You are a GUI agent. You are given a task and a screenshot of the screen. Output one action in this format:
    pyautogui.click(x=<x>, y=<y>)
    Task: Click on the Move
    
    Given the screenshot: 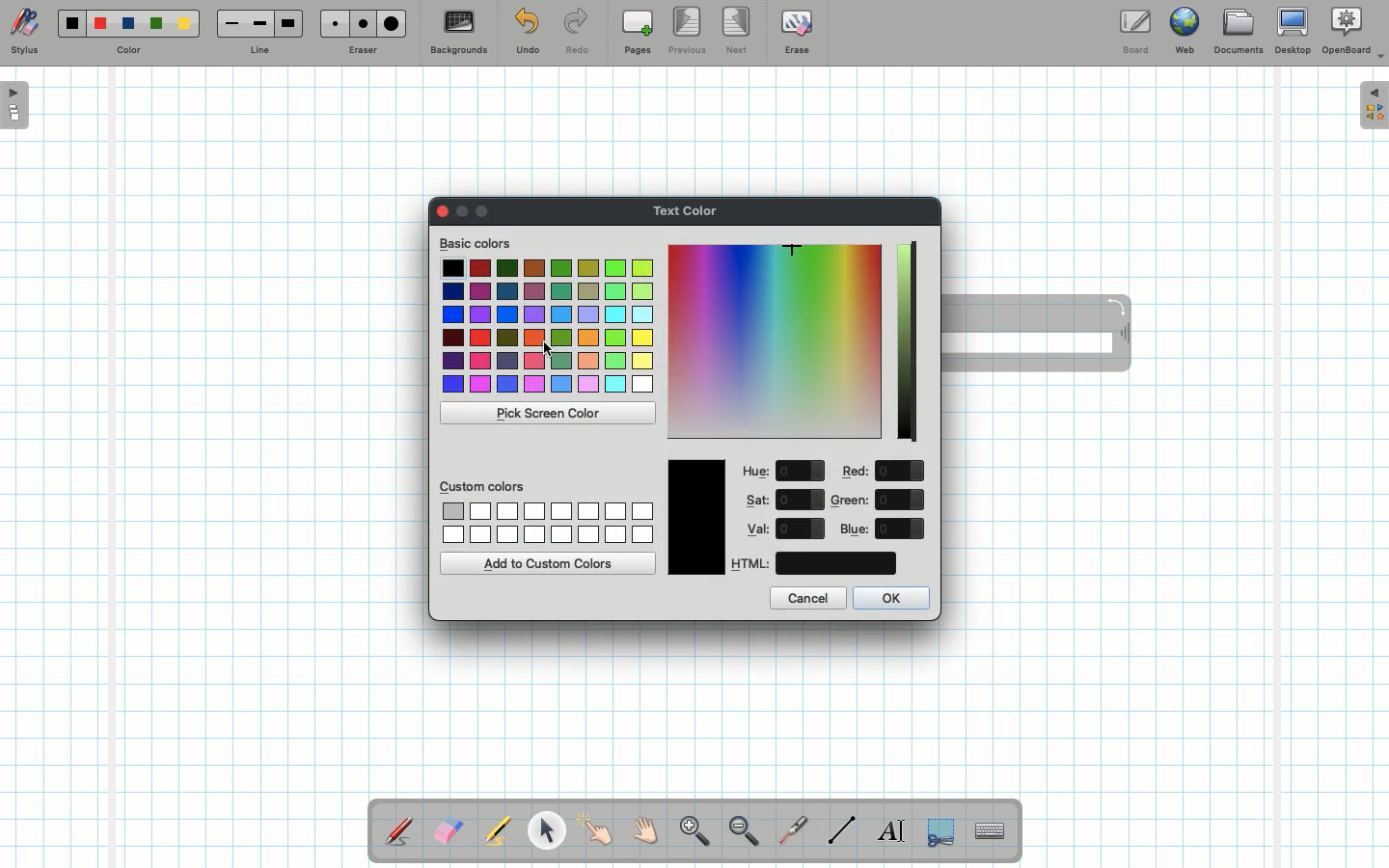 What is the action you would take?
    pyautogui.click(x=1123, y=336)
    